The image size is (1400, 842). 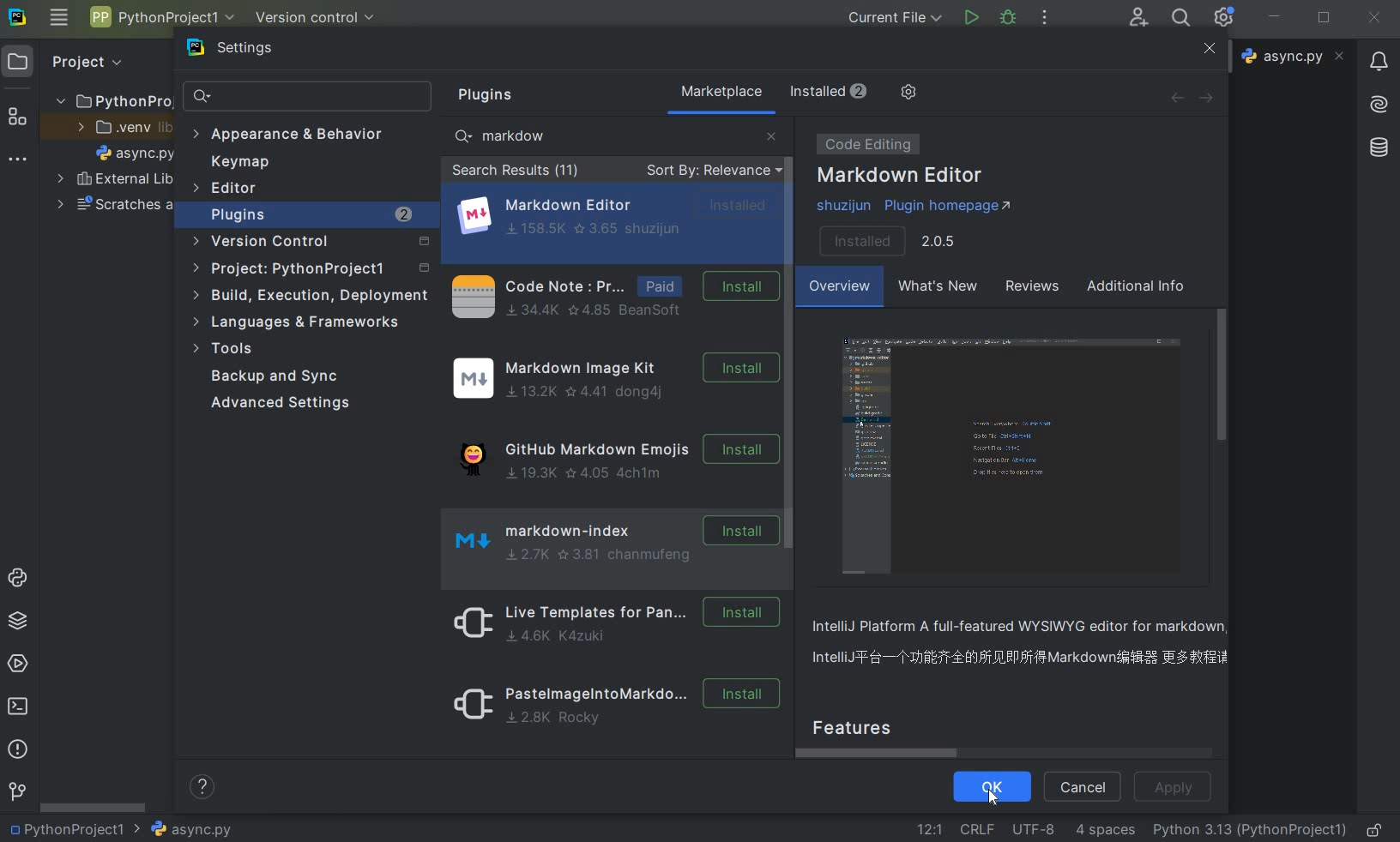 What do you see at coordinates (711, 171) in the screenshot?
I see `sort by: revelance` at bounding box center [711, 171].